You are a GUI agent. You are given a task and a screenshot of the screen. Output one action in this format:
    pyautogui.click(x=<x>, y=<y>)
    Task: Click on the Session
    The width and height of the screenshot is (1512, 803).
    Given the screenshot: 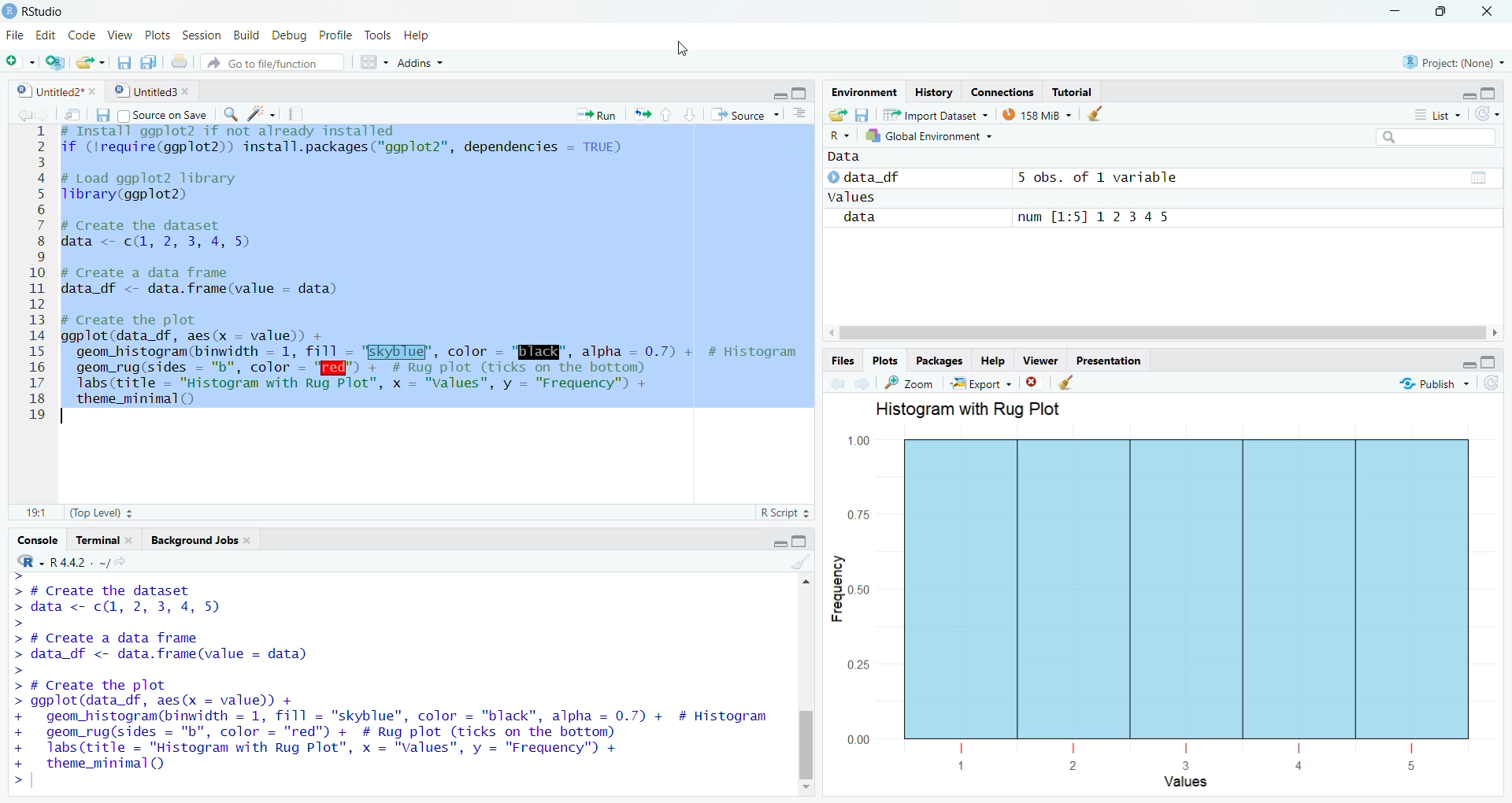 What is the action you would take?
    pyautogui.click(x=200, y=35)
    